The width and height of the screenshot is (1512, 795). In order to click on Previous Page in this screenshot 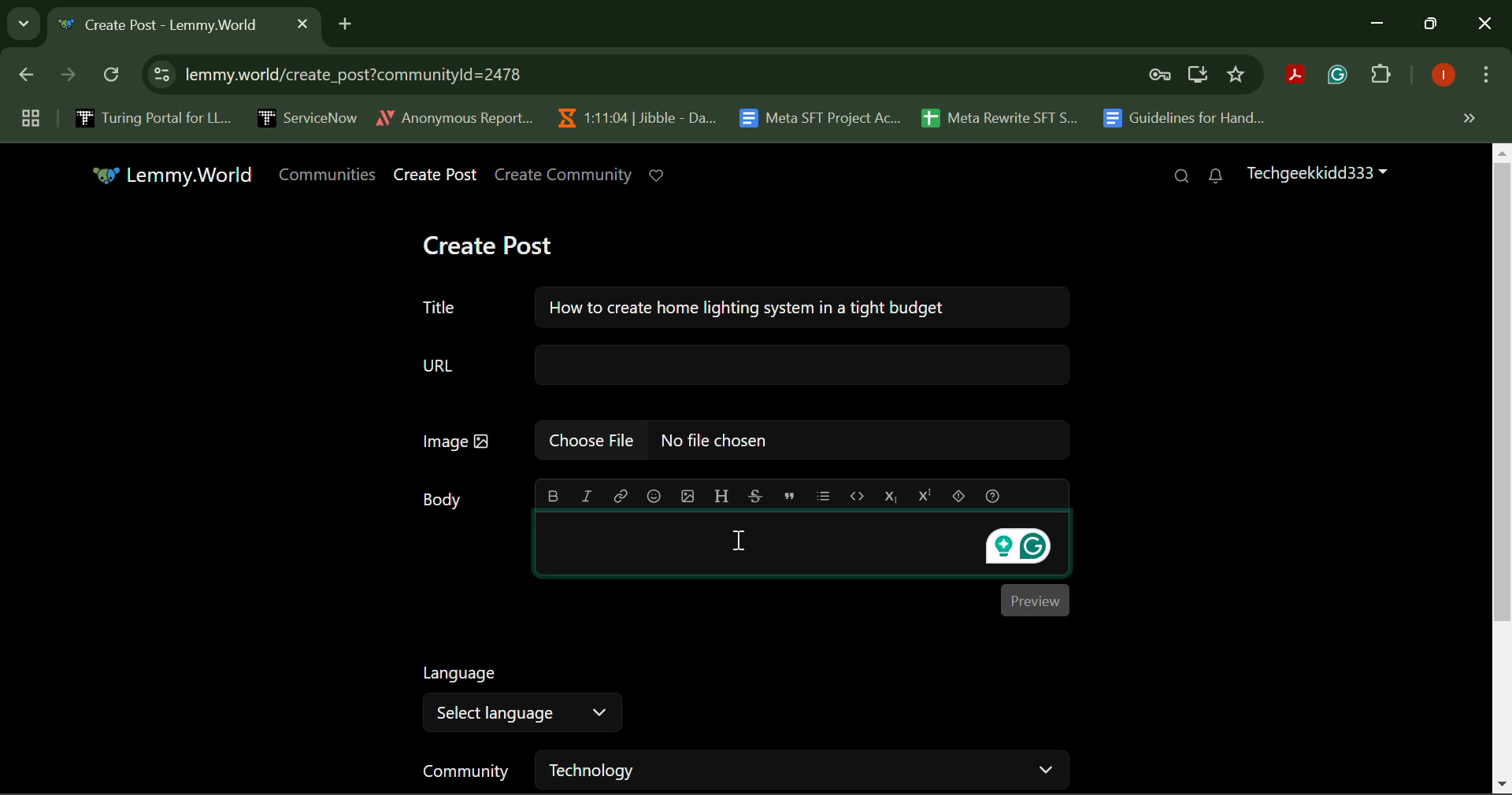, I will do `click(29, 78)`.